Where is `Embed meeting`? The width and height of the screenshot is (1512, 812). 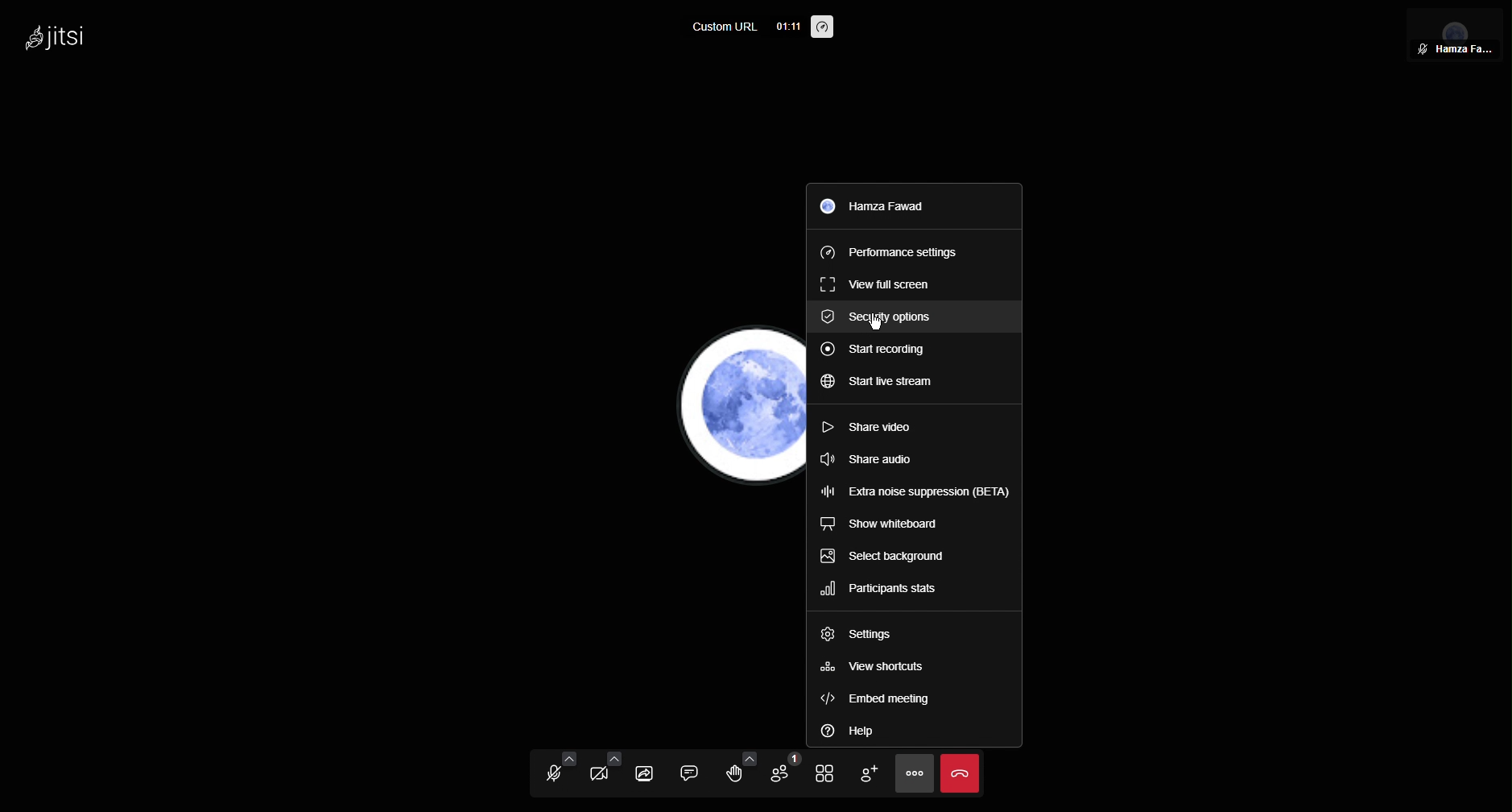
Embed meeting is located at coordinates (874, 696).